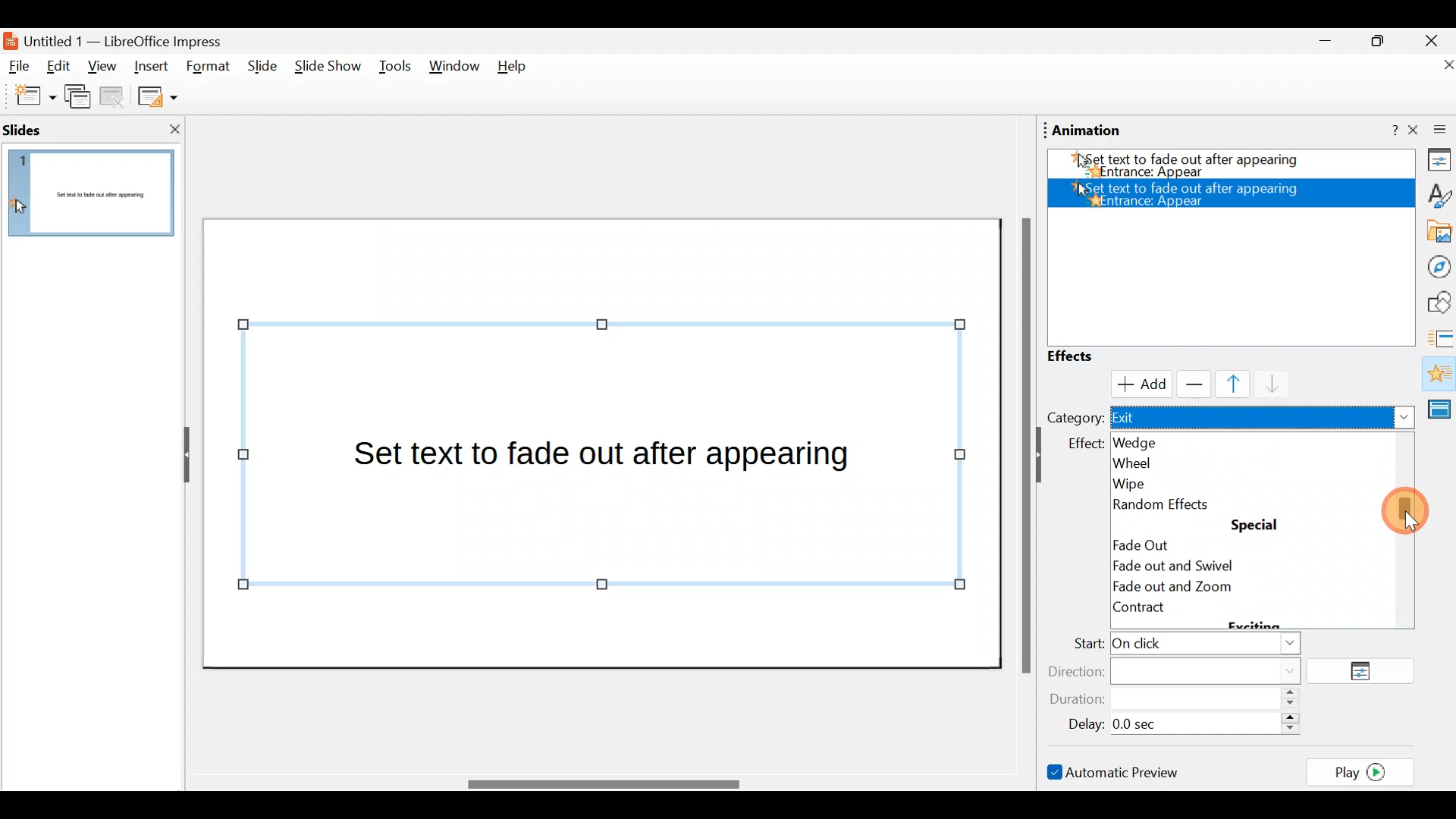 The width and height of the screenshot is (1456, 819). What do you see at coordinates (1266, 385) in the screenshot?
I see `Move down` at bounding box center [1266, 385].